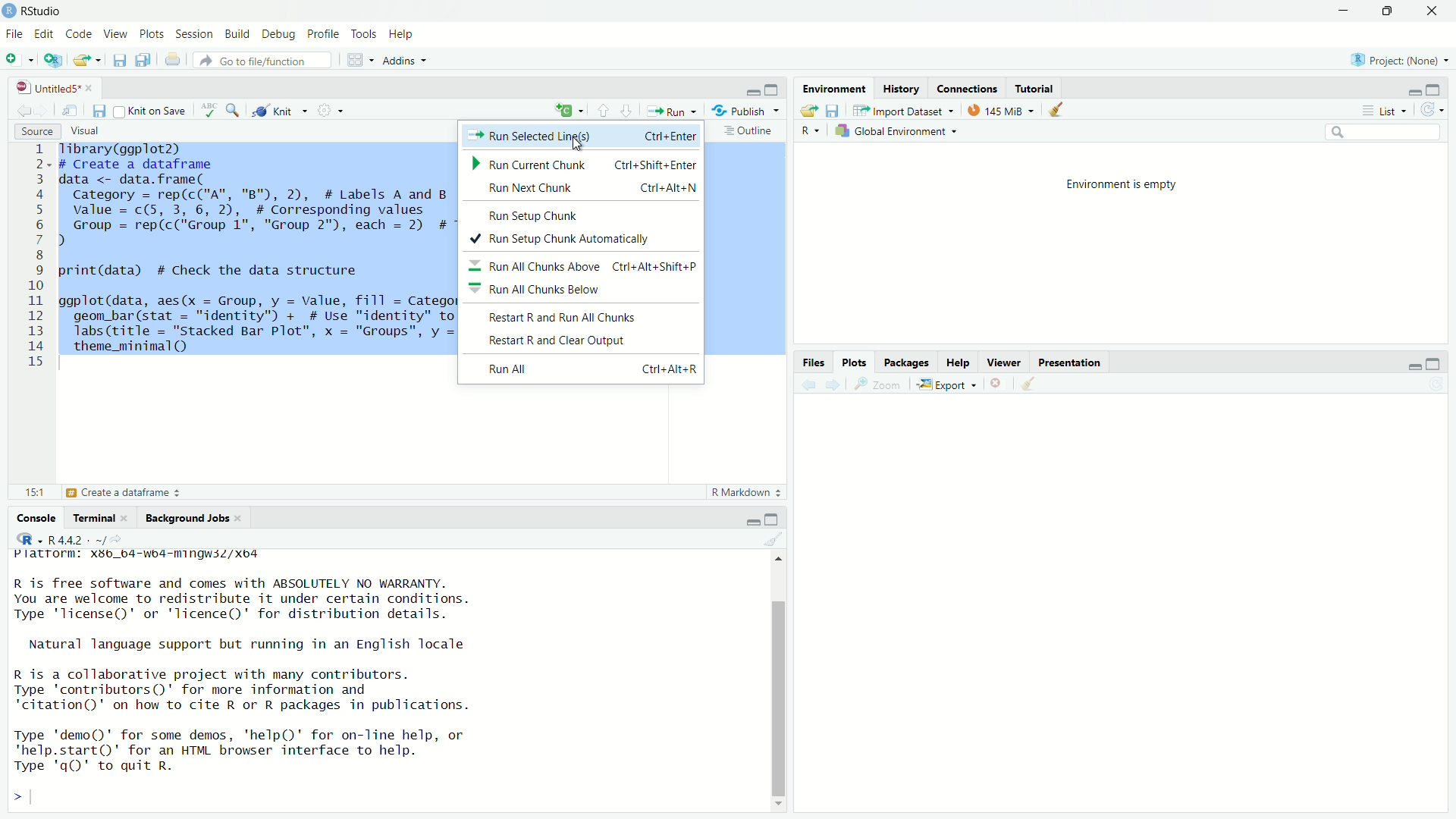 This screenshot has width=1456, height=819. Describe the element at coordinates (121, 60) in the screenshot. I see `Save current document (Ctrl + S)` at that location.